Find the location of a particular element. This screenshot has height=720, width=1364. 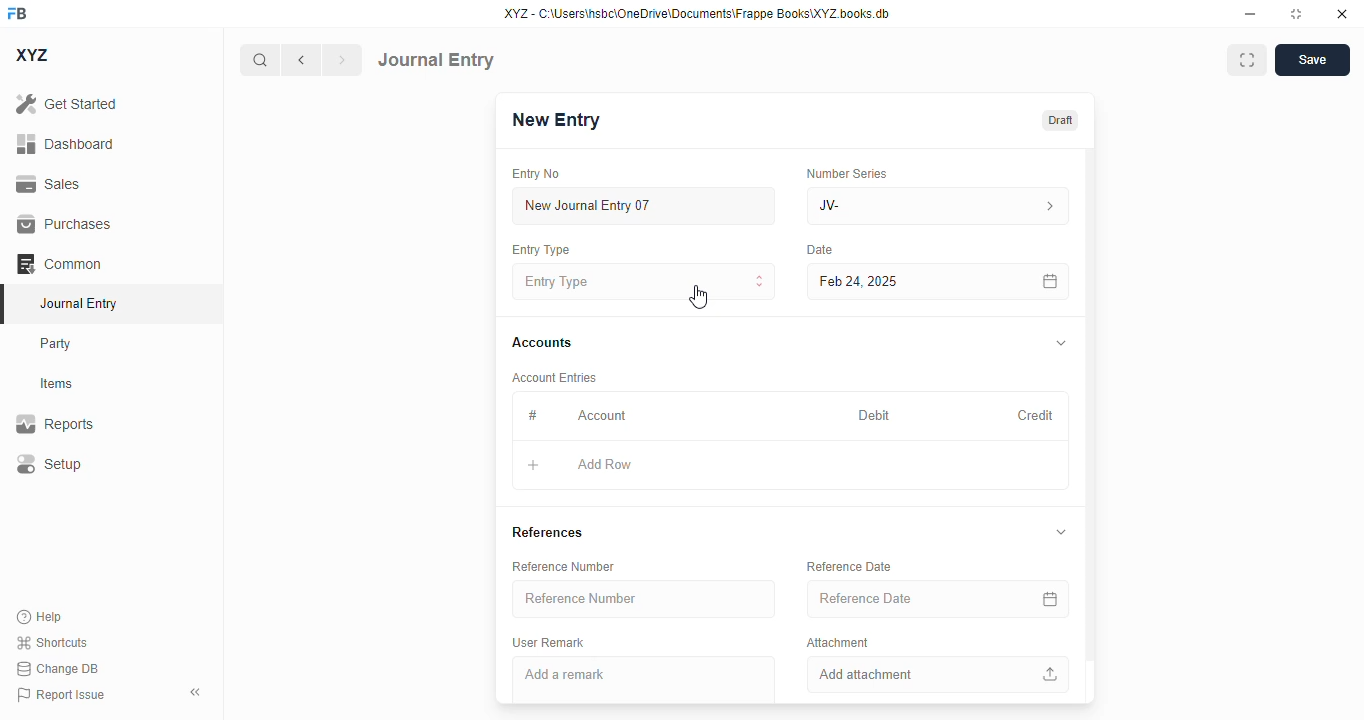

search is located at coordinates (259, 60).